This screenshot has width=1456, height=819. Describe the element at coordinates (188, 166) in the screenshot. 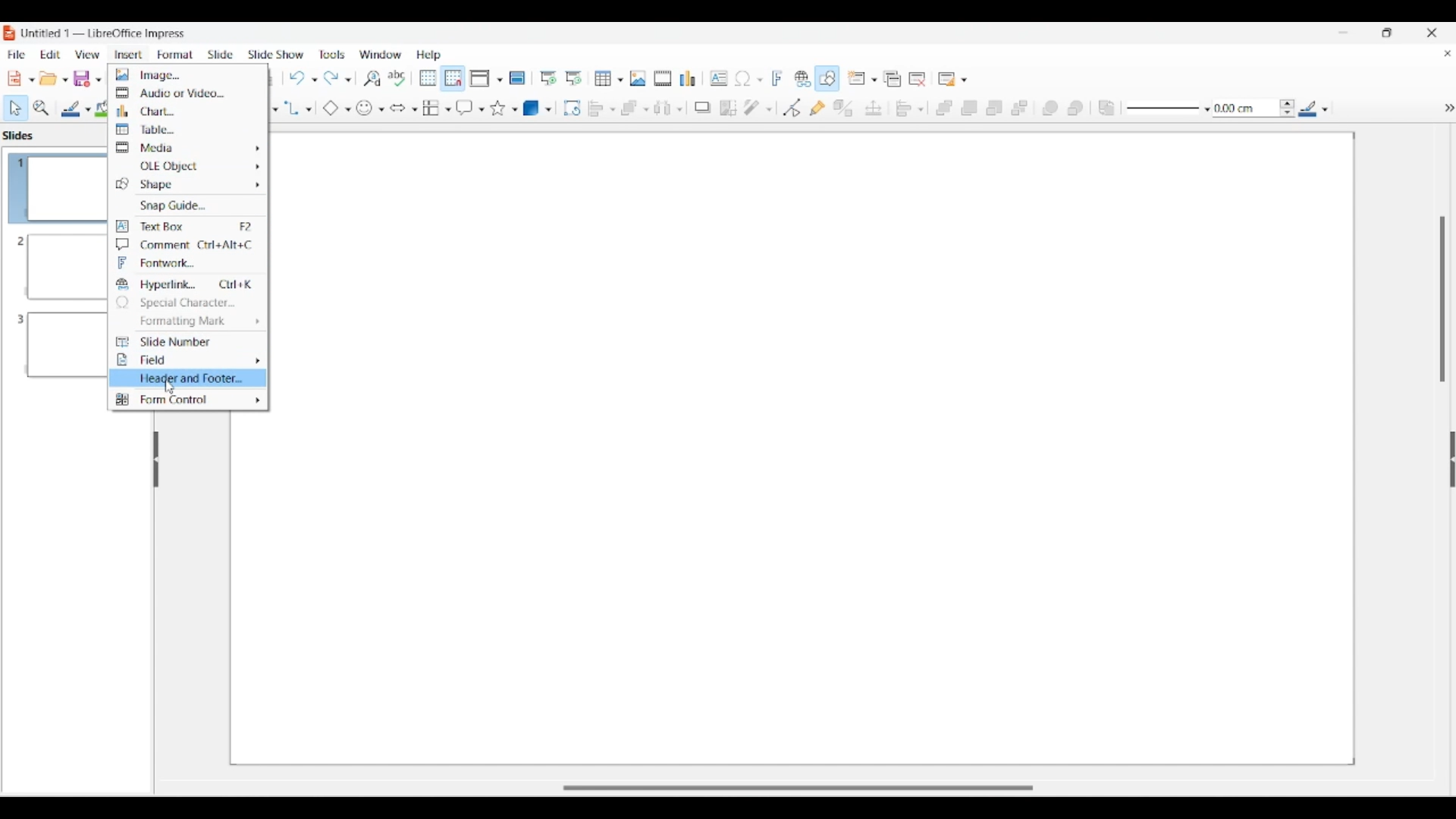

I see `OLE object options ` at that location.